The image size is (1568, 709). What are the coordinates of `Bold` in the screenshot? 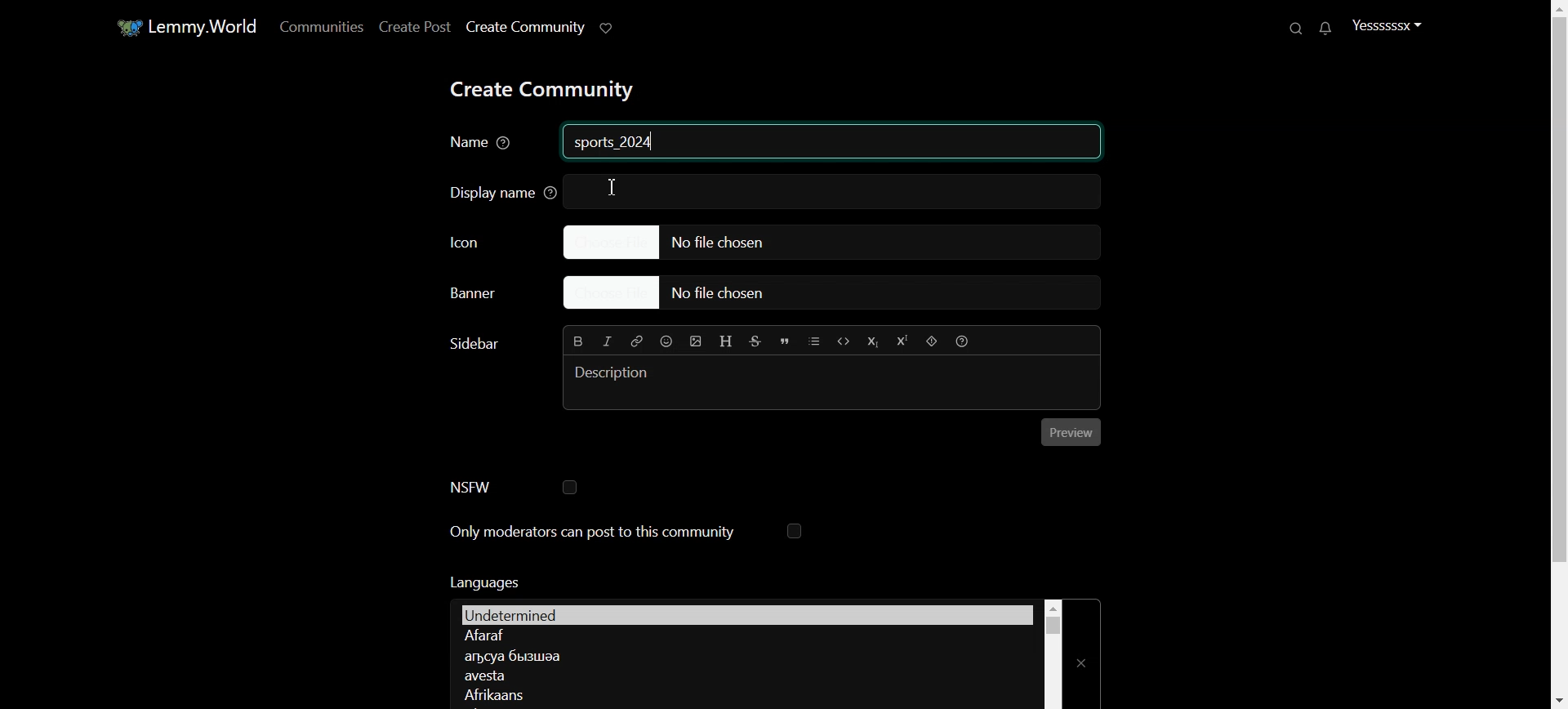 It's located at (579, 340).